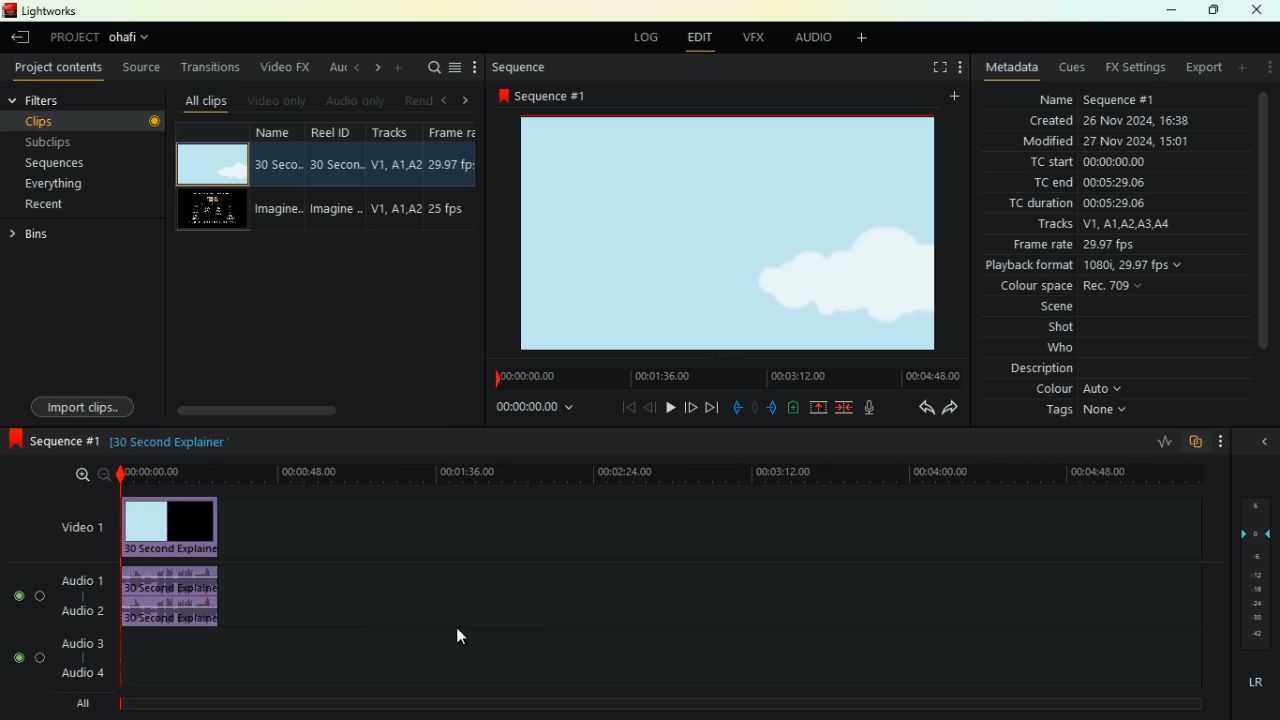 The image size is (1280, 720). Describe the element at coordinates (205, 103) in the screenshot. I see `all clips` at that location.